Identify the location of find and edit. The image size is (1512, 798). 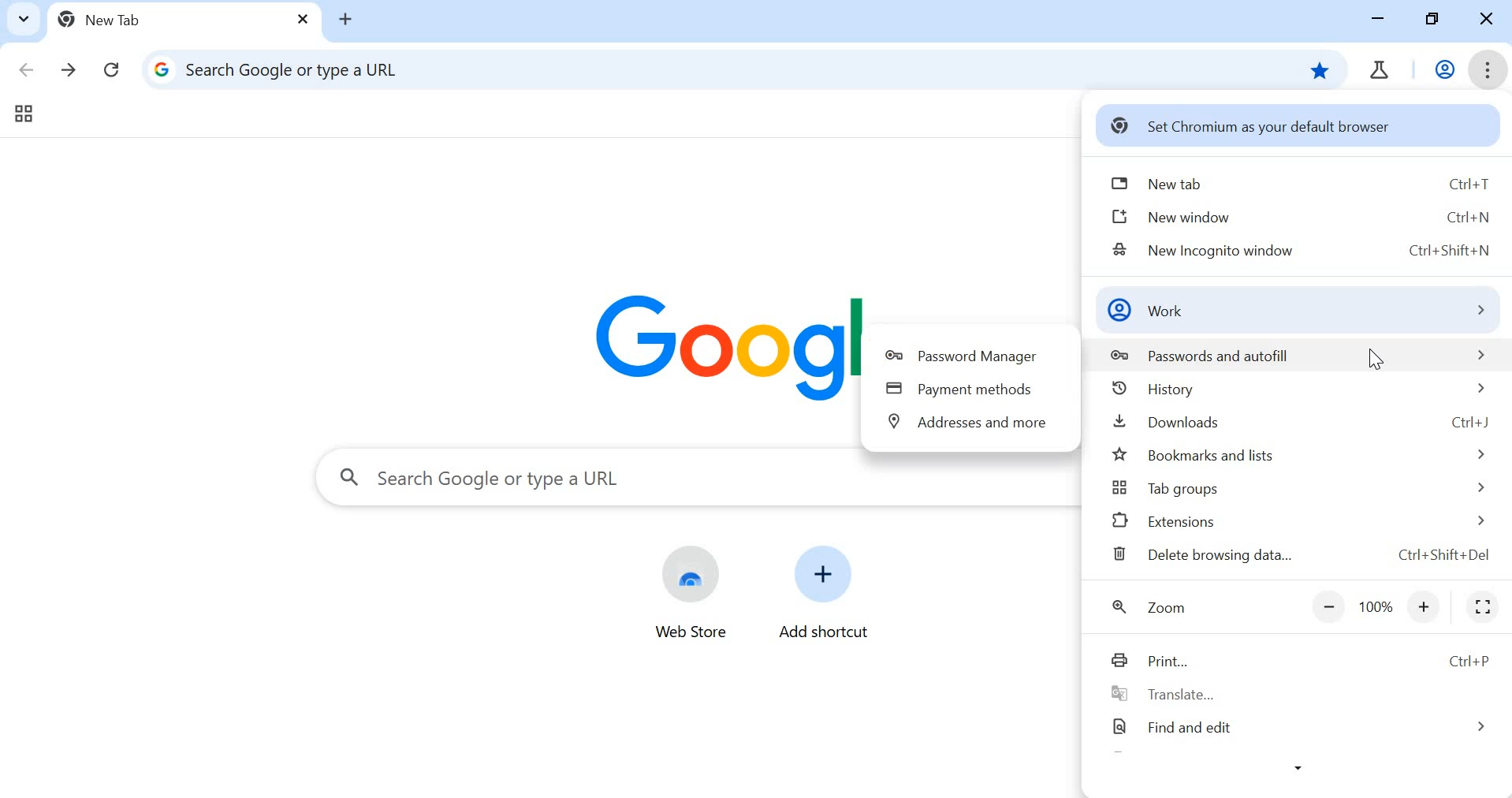
(1295, 727).